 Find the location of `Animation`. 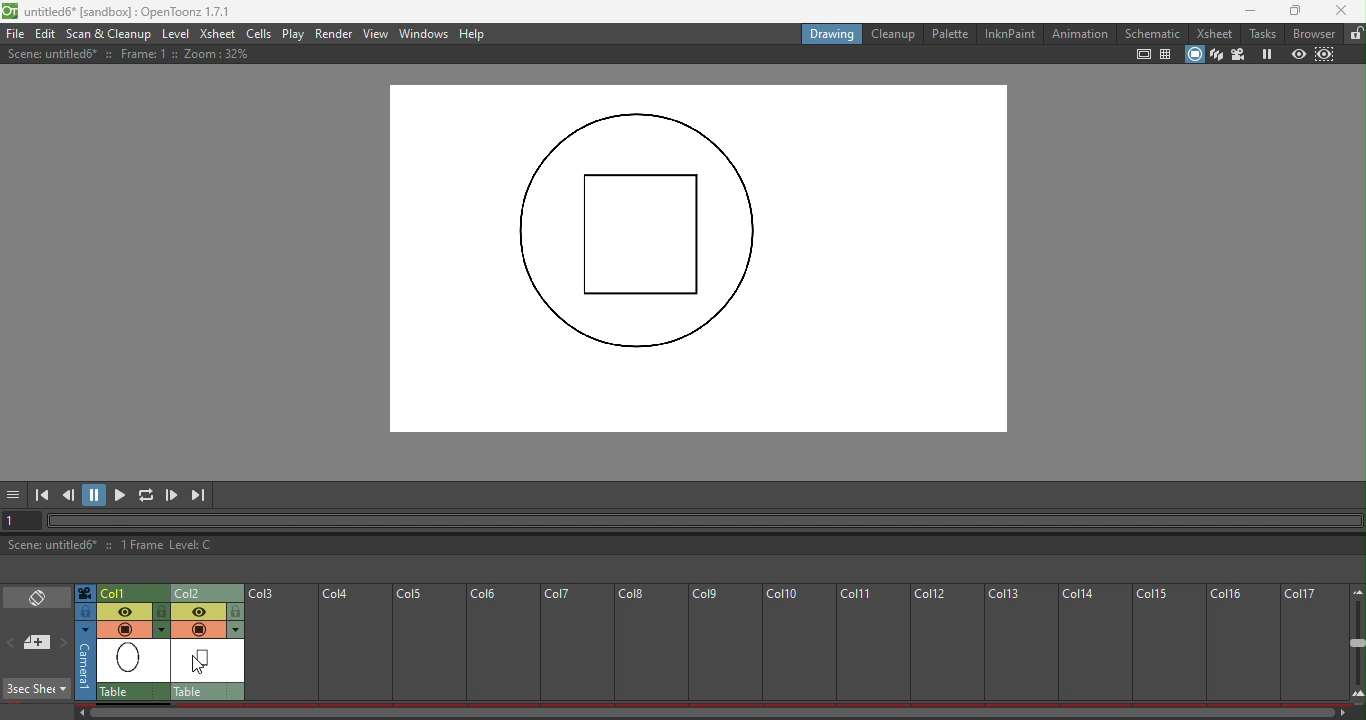

Animation is located at coordinates (1078, 33).